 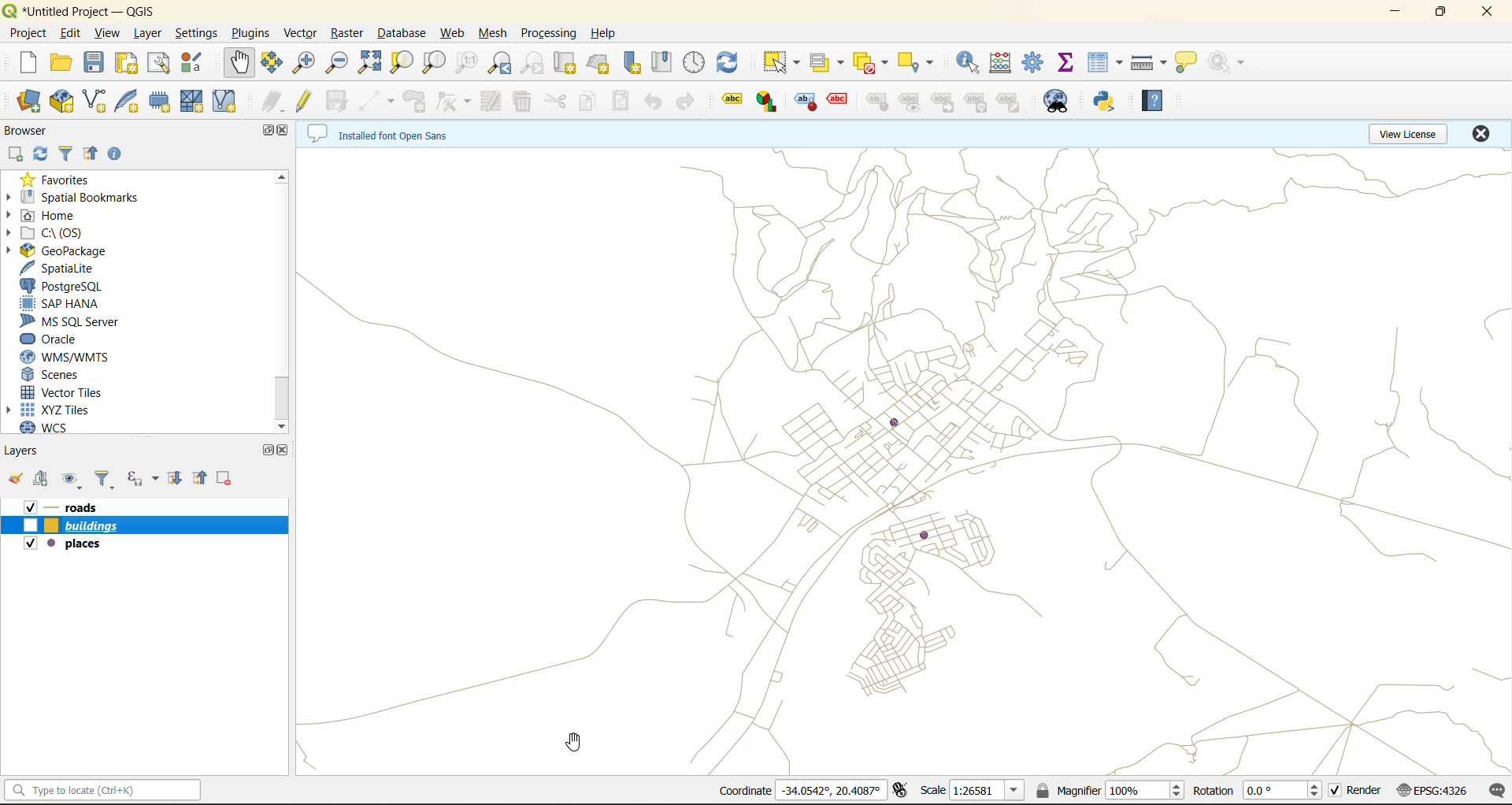 I want to click on toggle extensions, so click(x=898, y=791).